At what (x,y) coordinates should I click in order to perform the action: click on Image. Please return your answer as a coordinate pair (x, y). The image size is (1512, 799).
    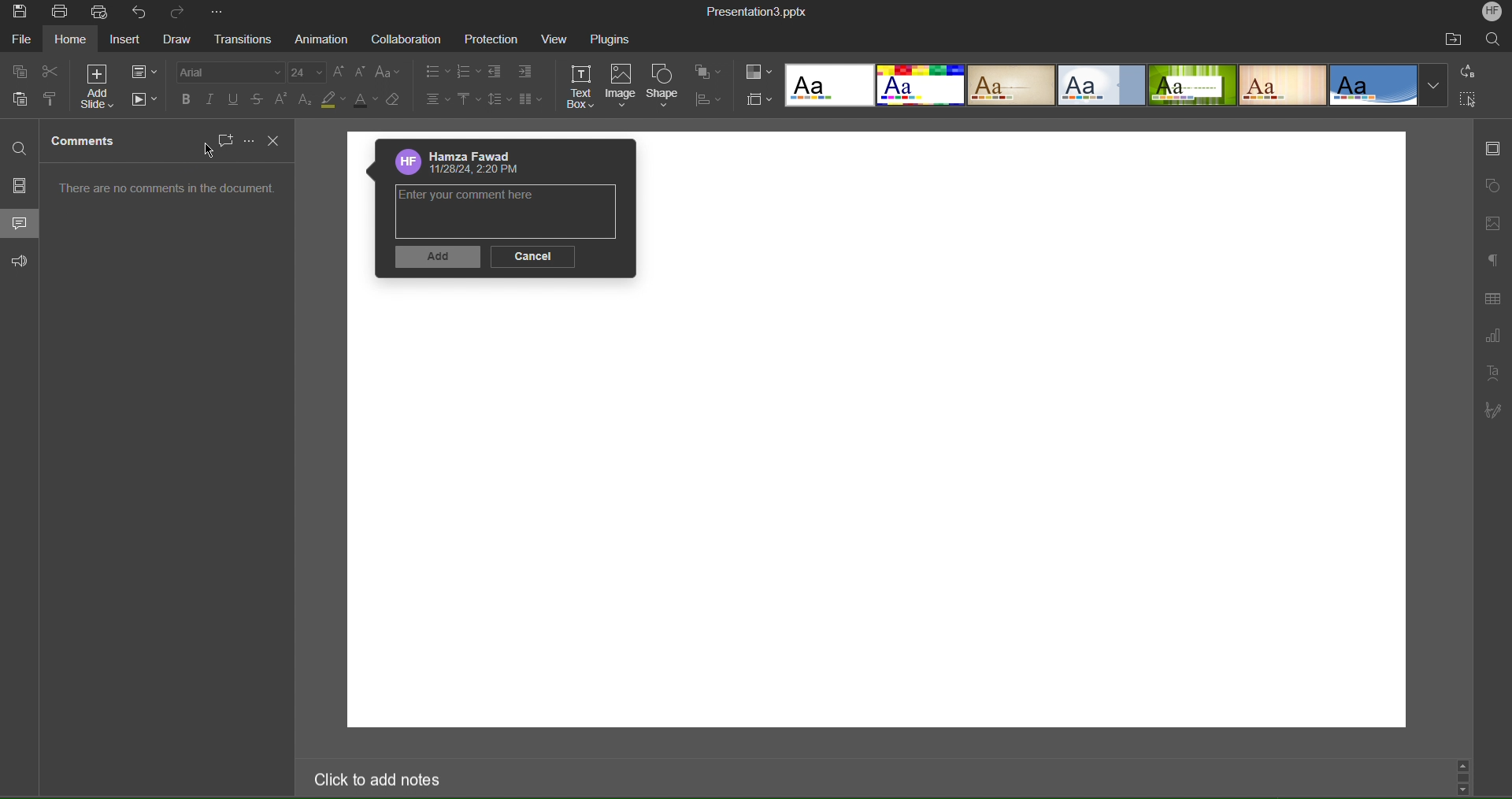
    Looking at the image, I should click on (624, 86).